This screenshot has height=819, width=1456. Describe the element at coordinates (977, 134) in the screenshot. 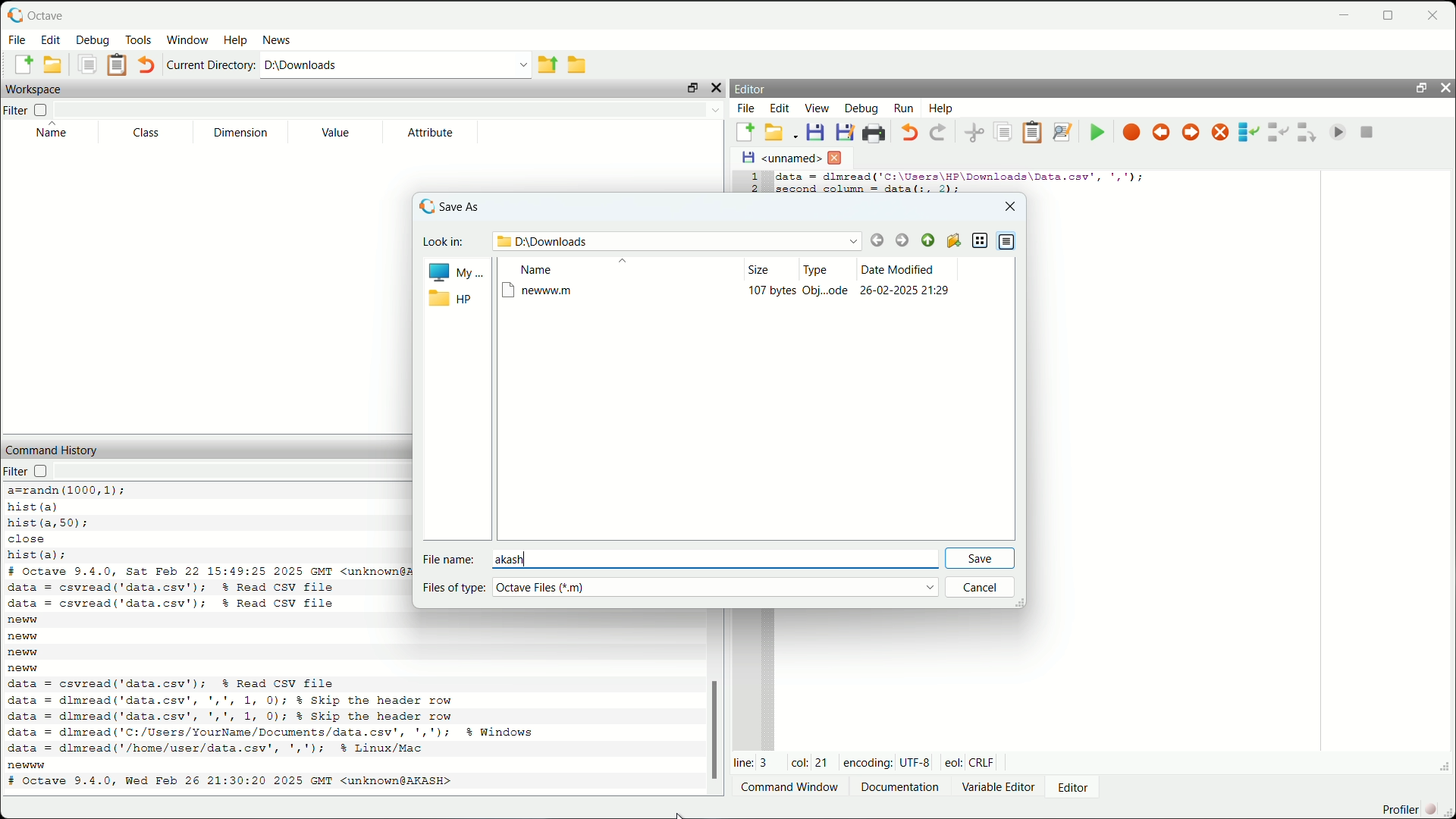

I see `cut` at that location.